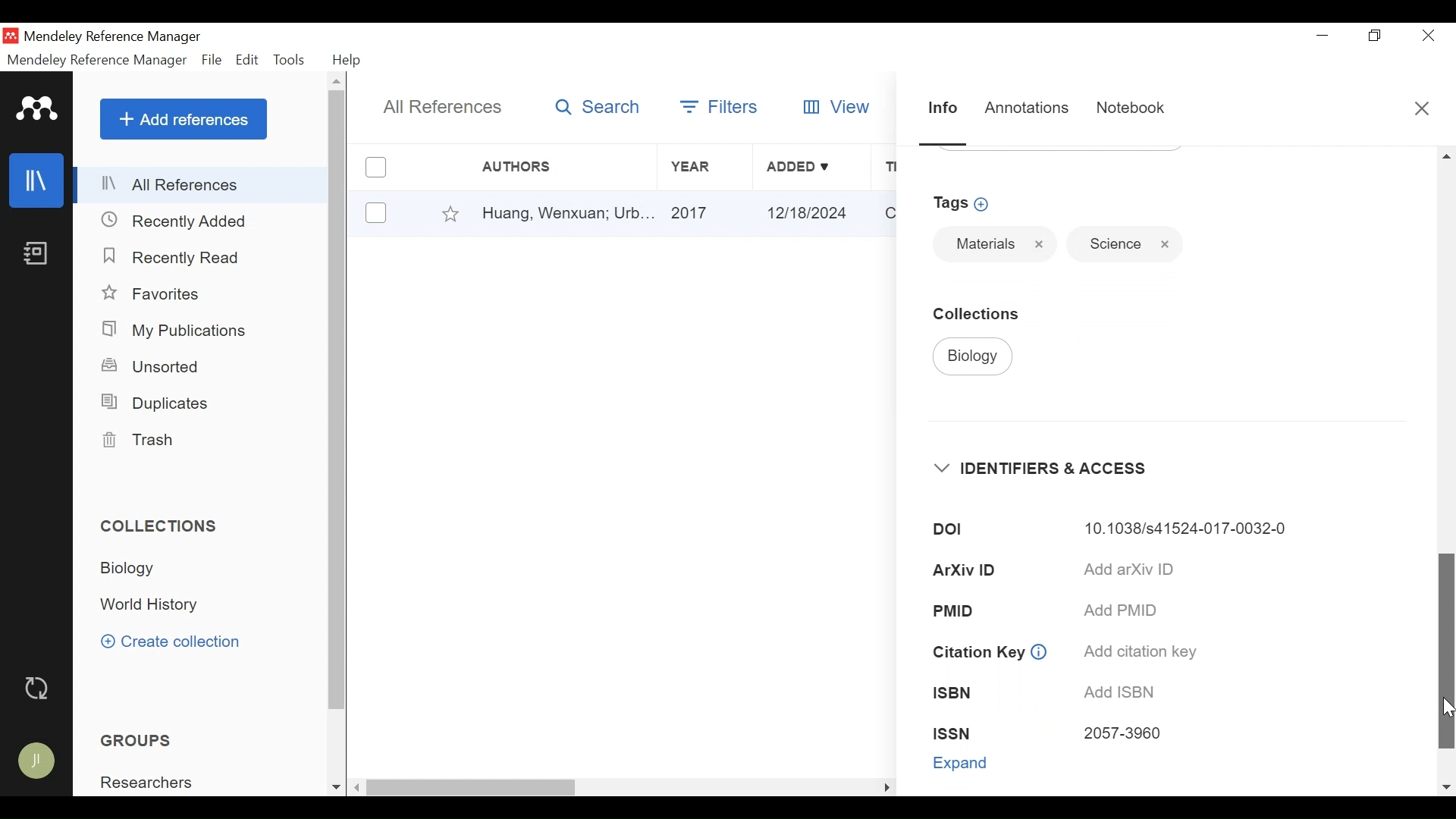 The width and height of the screenshot is (1456, 819). Describe the element at coordinates (166, 526) in the screenshot. I see `Collections` at that location.